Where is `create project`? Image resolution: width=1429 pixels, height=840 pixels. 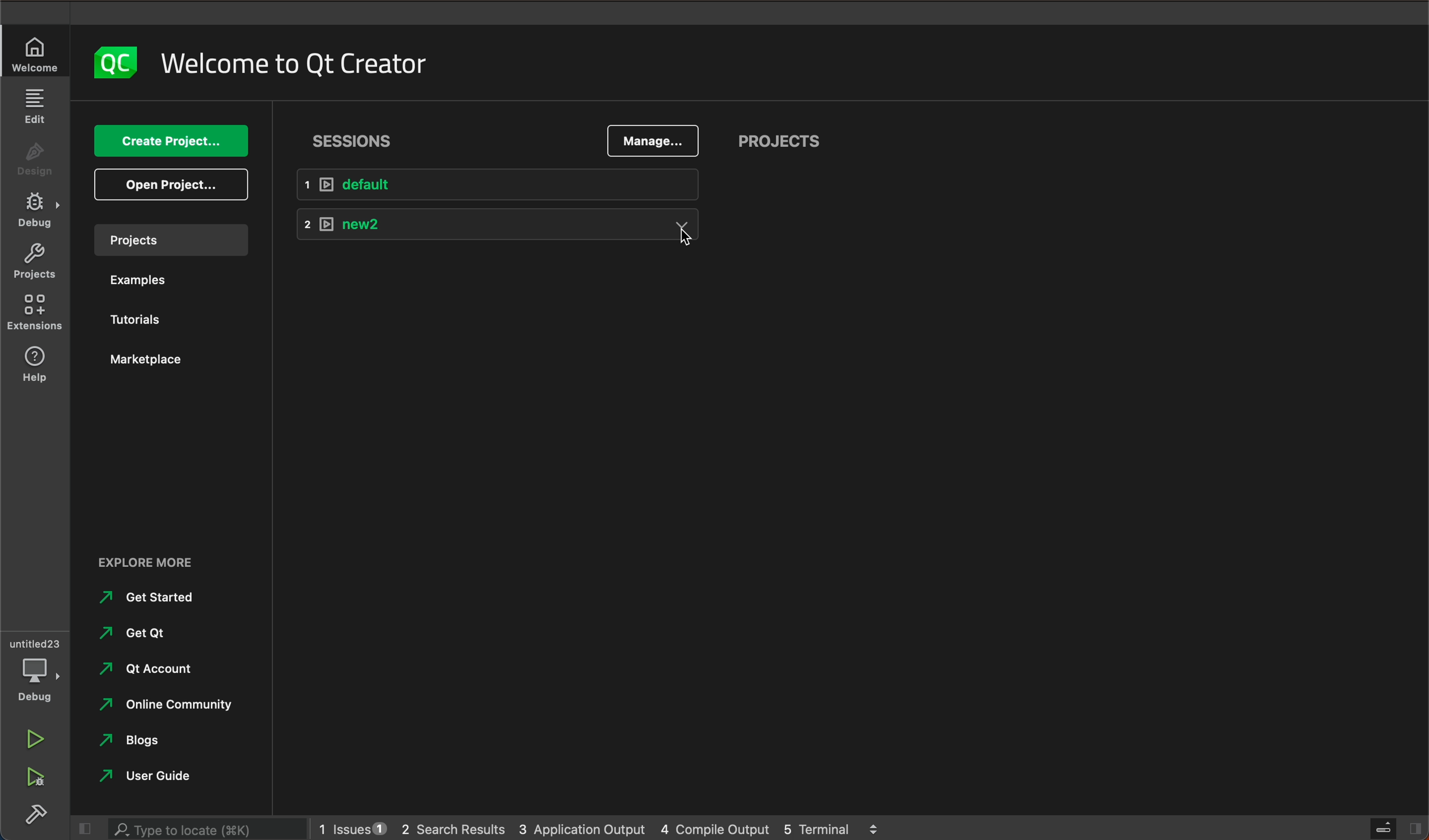
create project is located at coordinates (170, 141).